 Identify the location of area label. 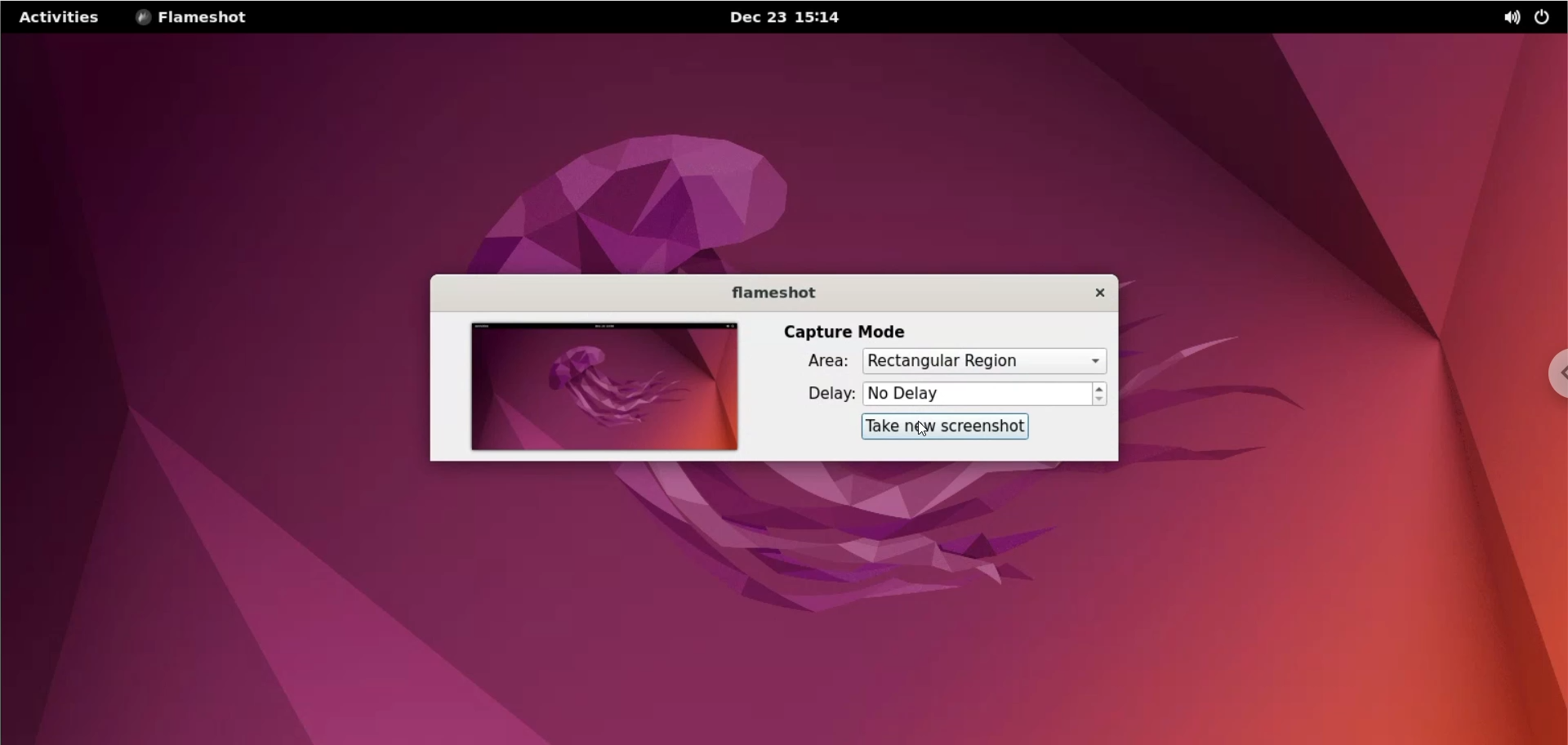
(822, 364).